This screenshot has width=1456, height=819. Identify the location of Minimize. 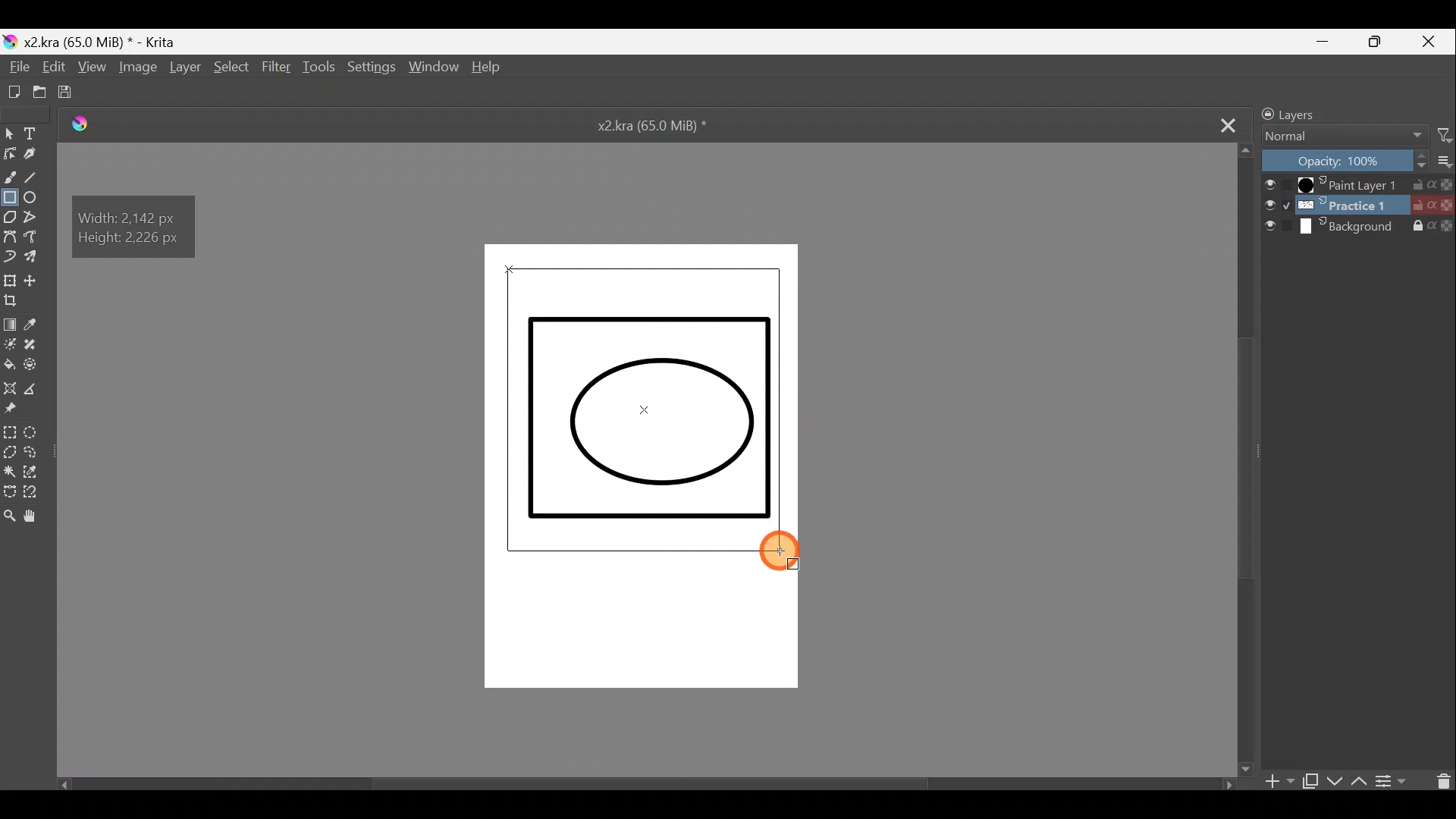
(1317, 40).